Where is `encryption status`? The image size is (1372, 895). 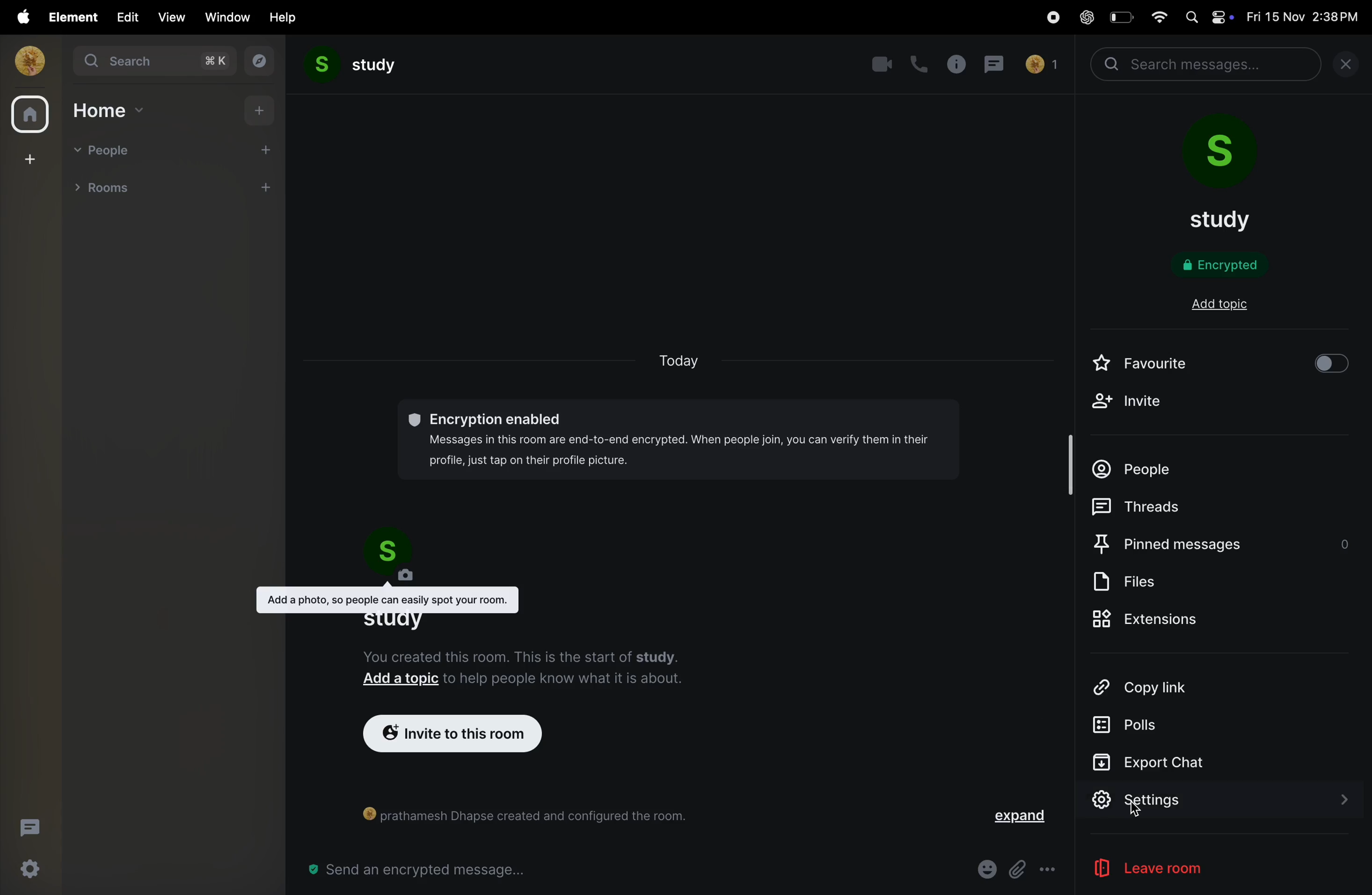 encryption status is located at coordinates (1229, 265).